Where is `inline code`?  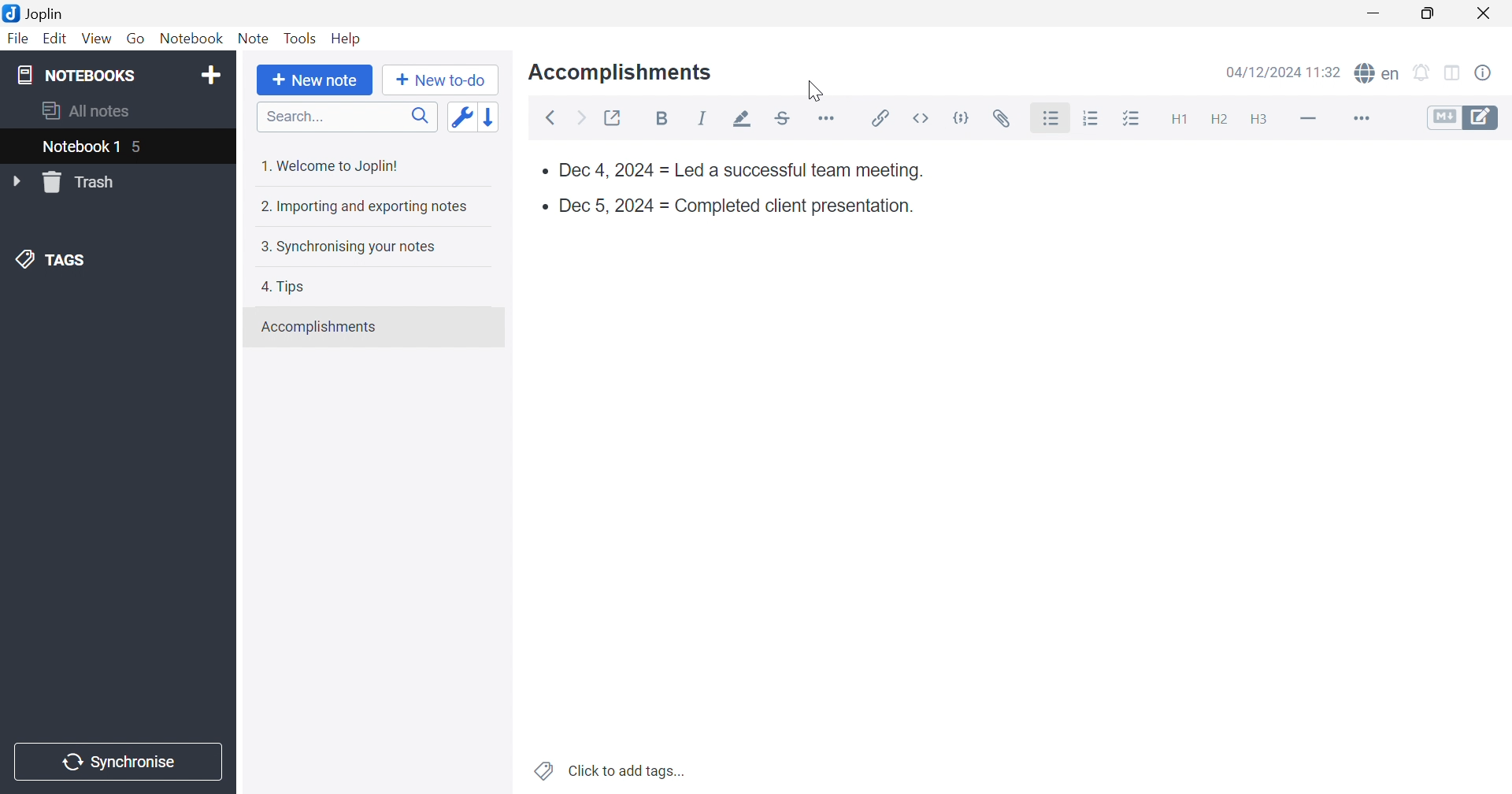 inline code is located at coordinates (922, 118).